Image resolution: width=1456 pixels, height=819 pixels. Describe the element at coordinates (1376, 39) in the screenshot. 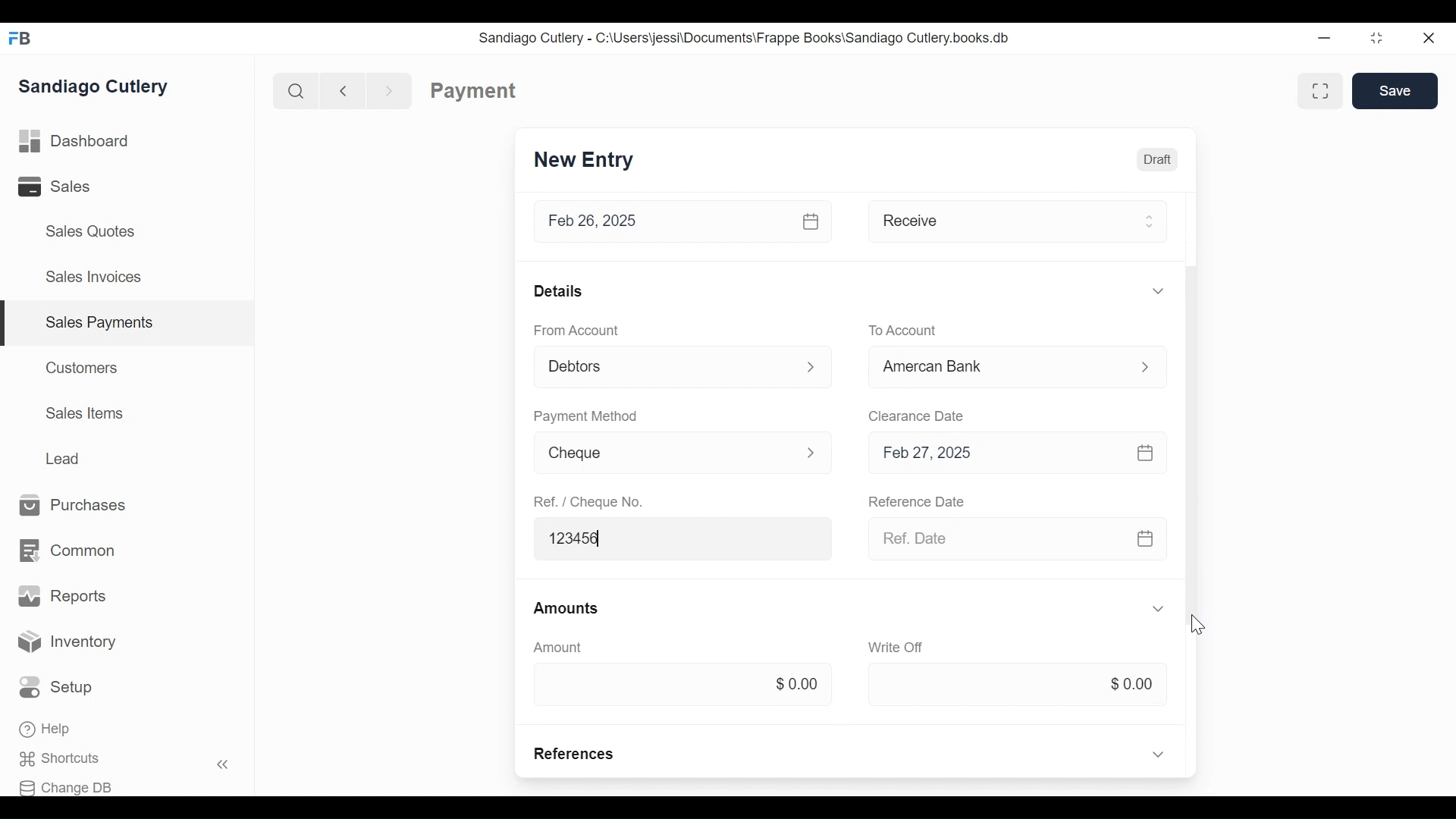

I see `Restore` at that location.